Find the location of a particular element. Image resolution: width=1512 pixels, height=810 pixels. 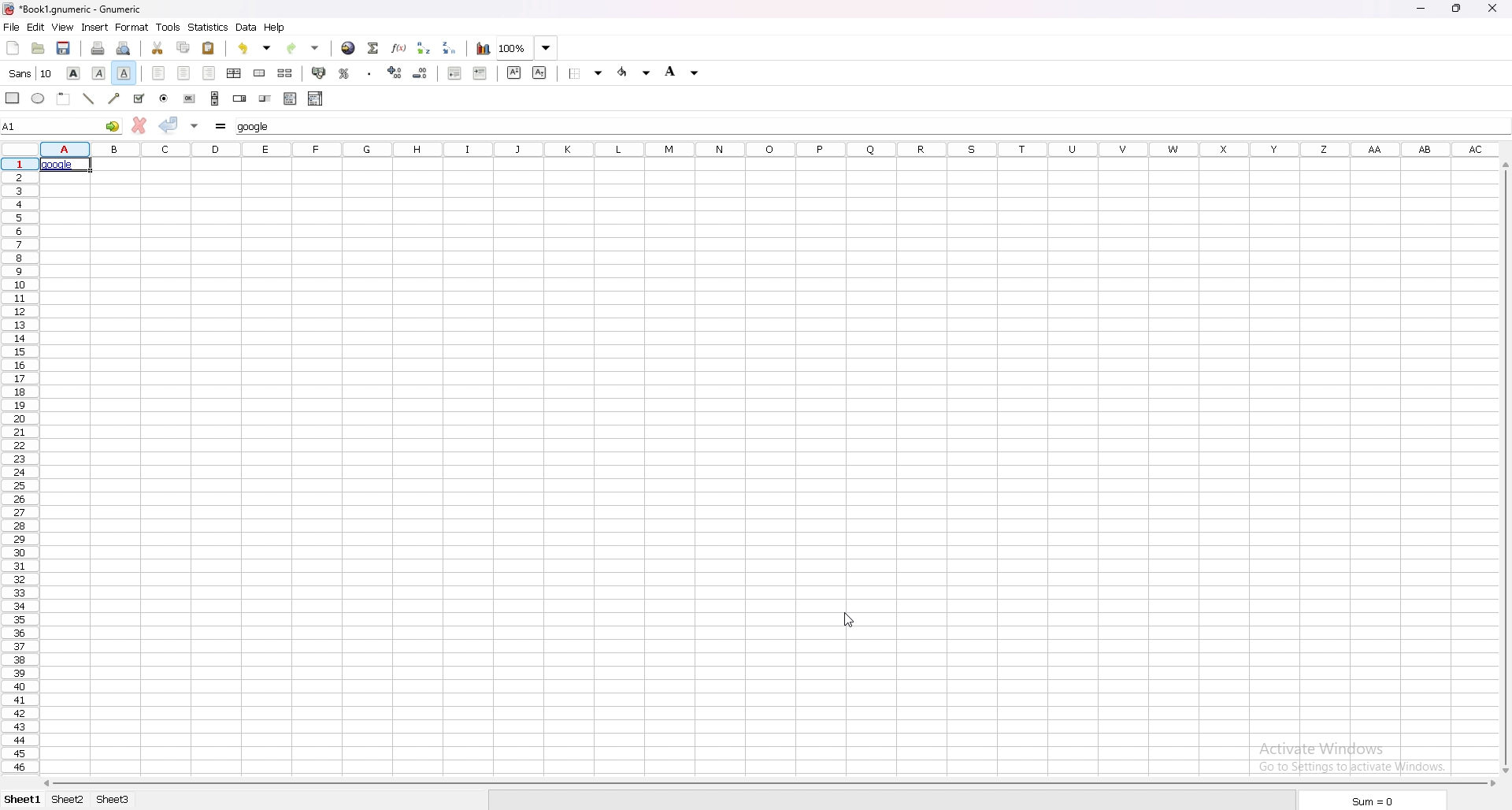

decrease indent is located at coordinates (454, 72).